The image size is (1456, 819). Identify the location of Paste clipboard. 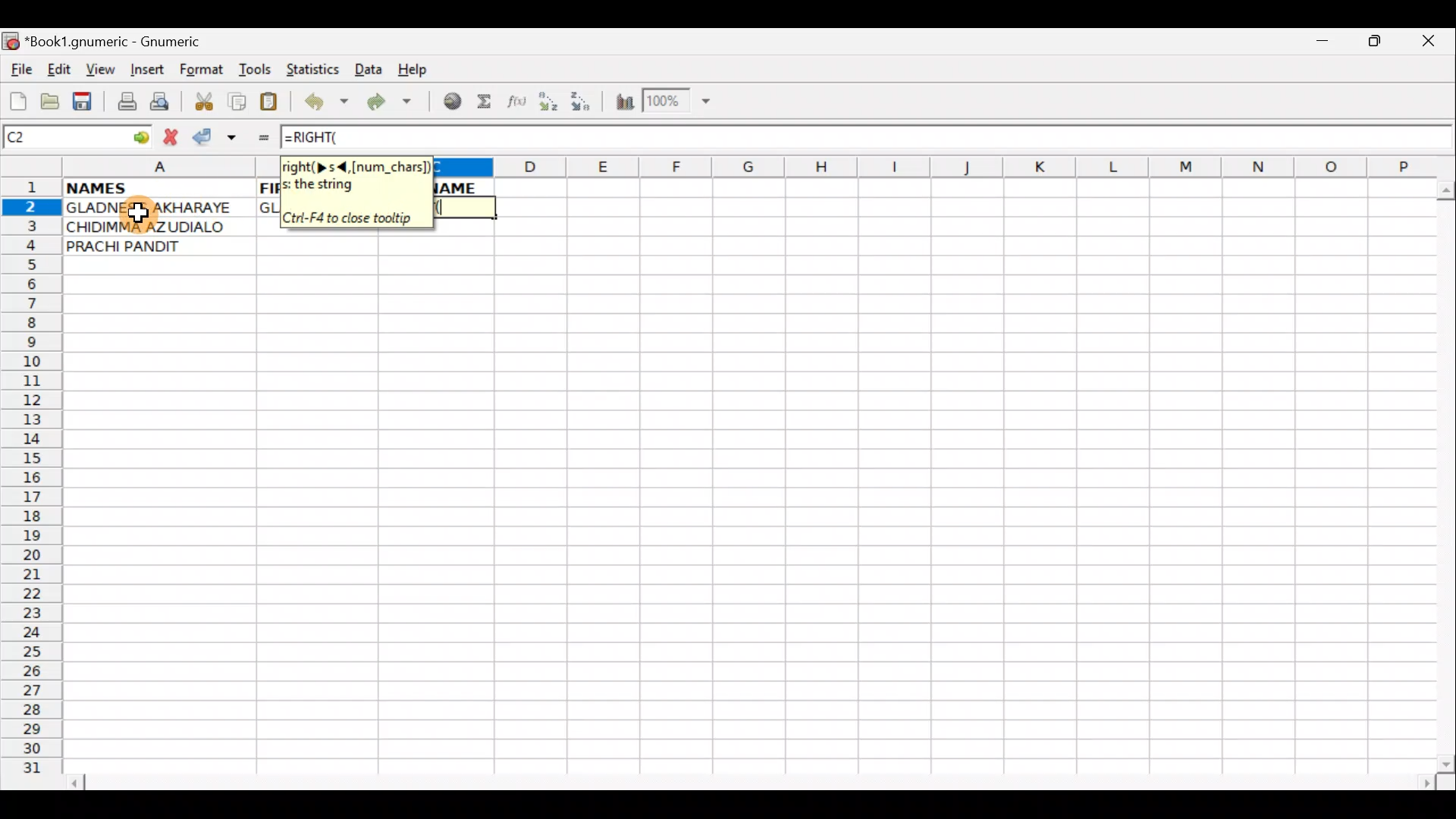
(274, 104).